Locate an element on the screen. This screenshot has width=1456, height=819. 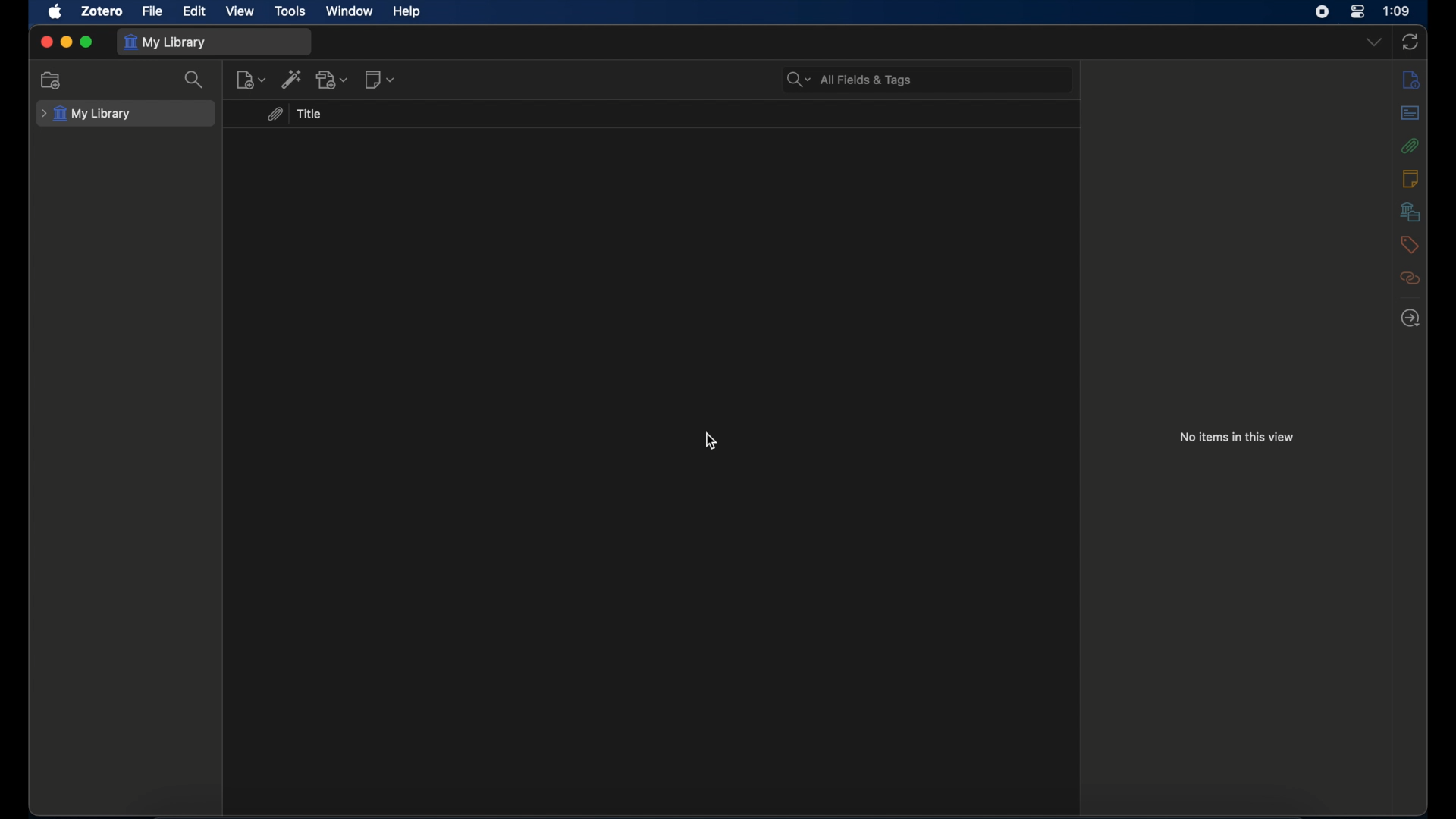
file is located at coordinates (153, 11).